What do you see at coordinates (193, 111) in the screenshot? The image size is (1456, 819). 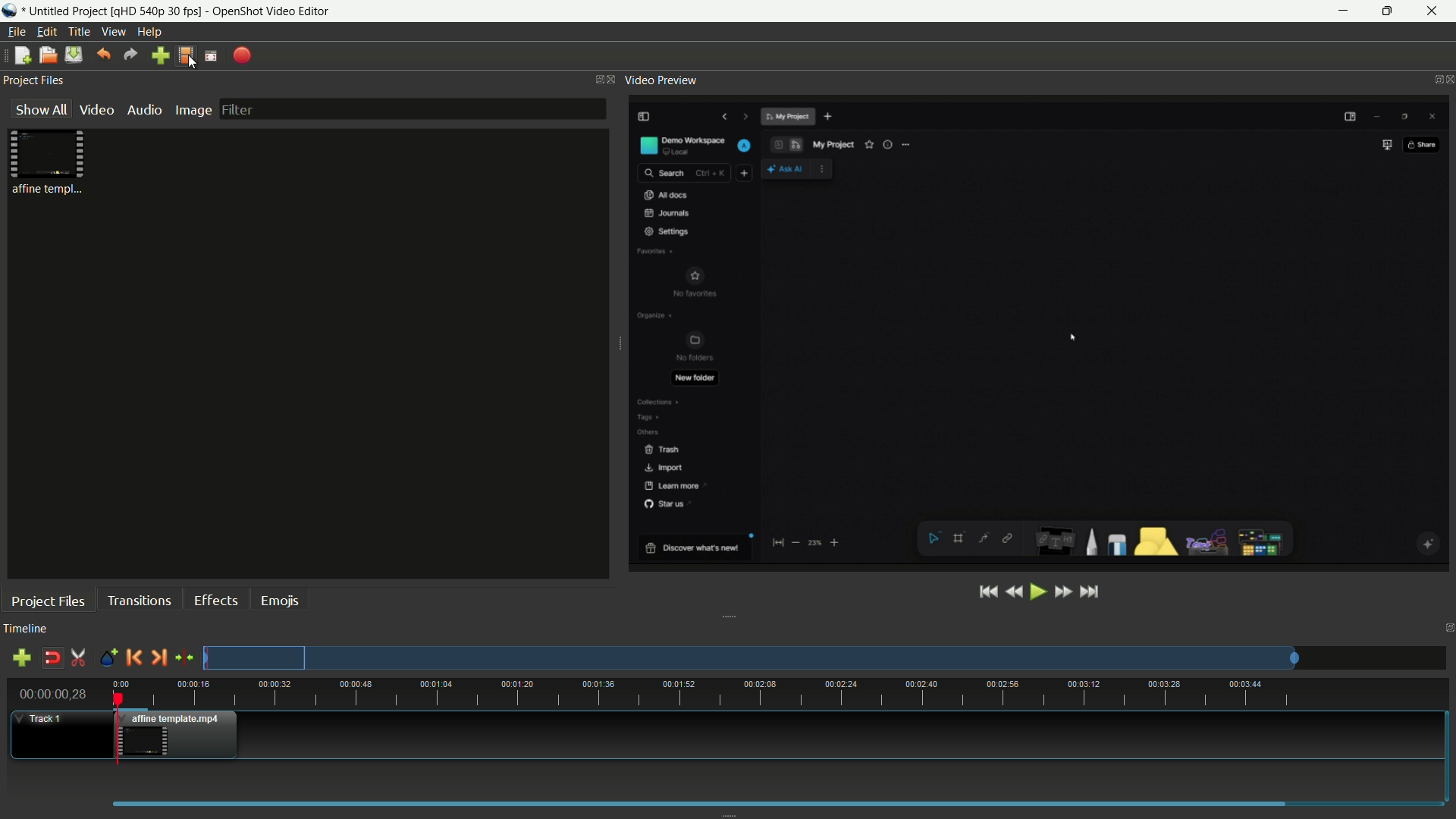 I see `image` at bounding box center [193, 111].